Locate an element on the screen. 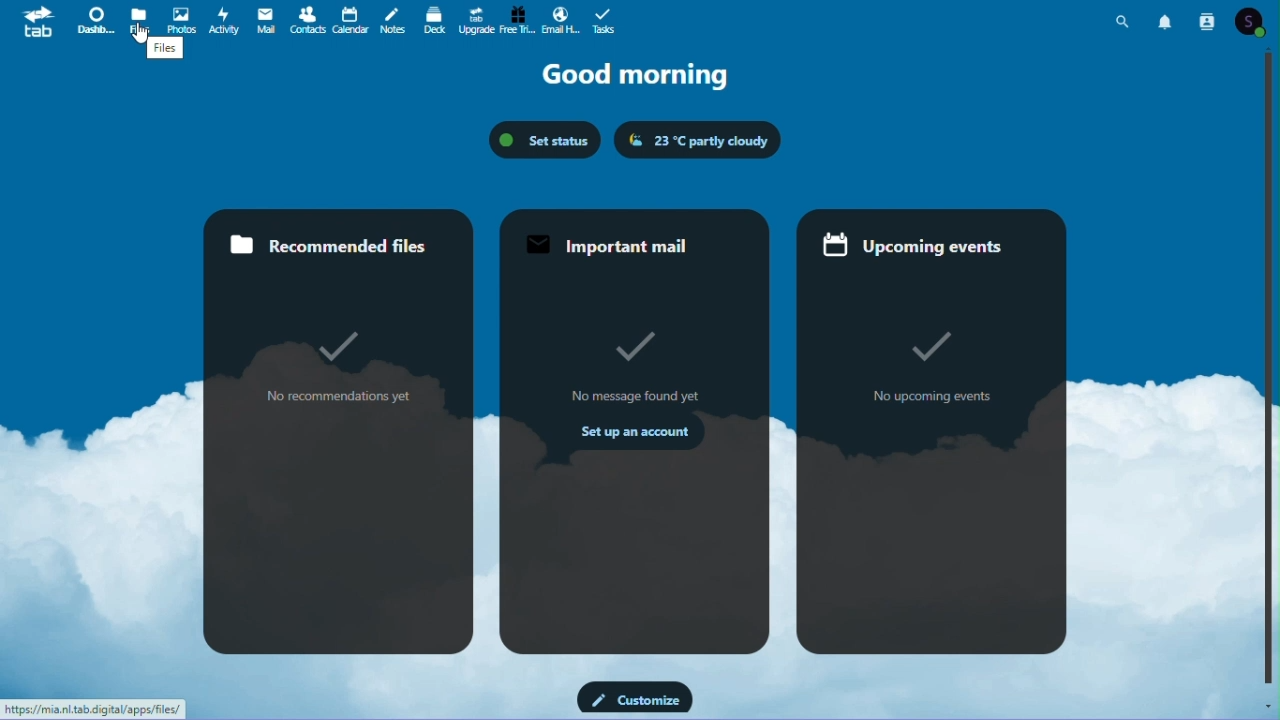 The height and width of the screenshot is (720, 1280). mail is located at coordinates (265, 19).